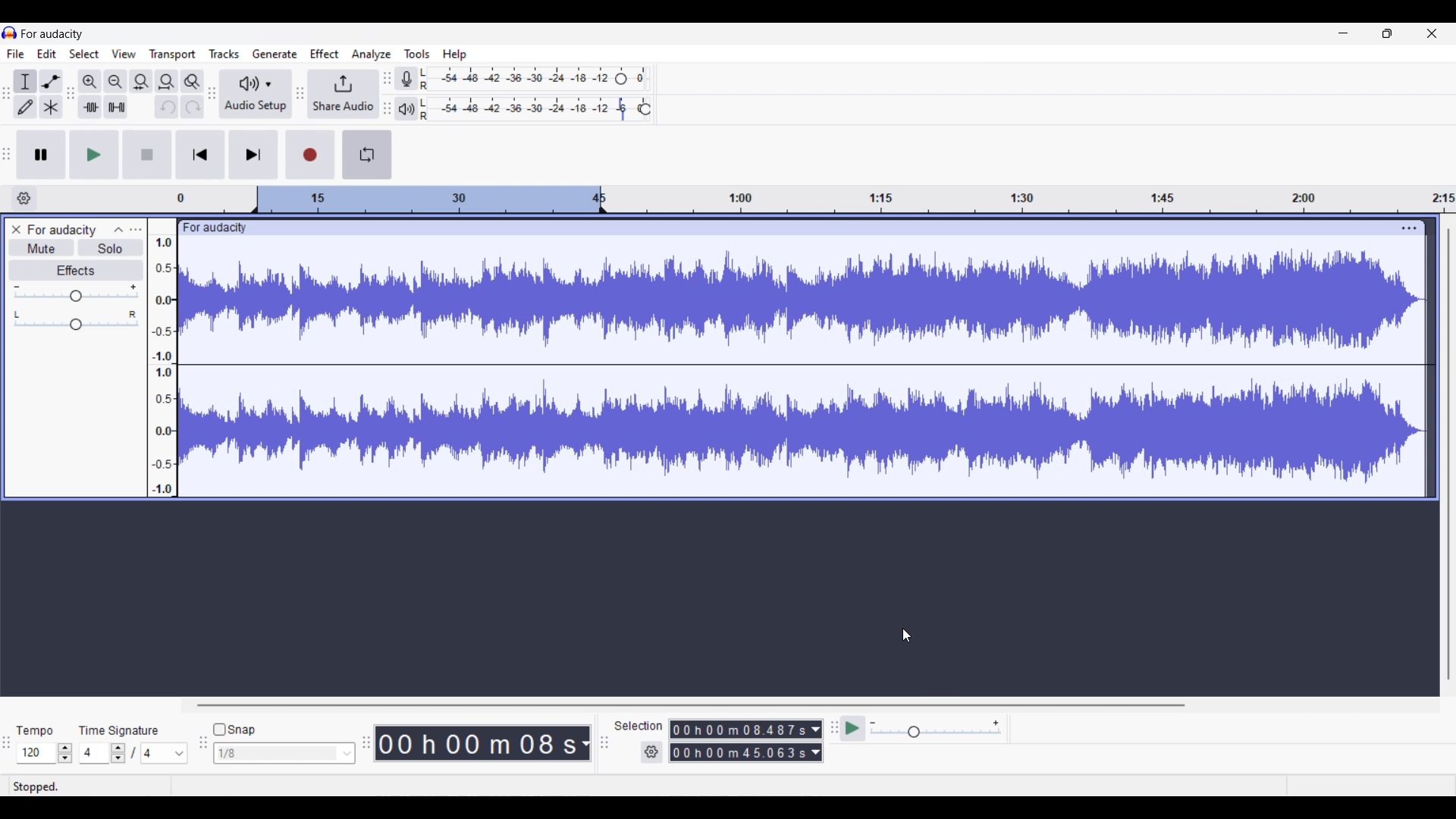  I want to click on Fit selection to width, so click(140, 83).